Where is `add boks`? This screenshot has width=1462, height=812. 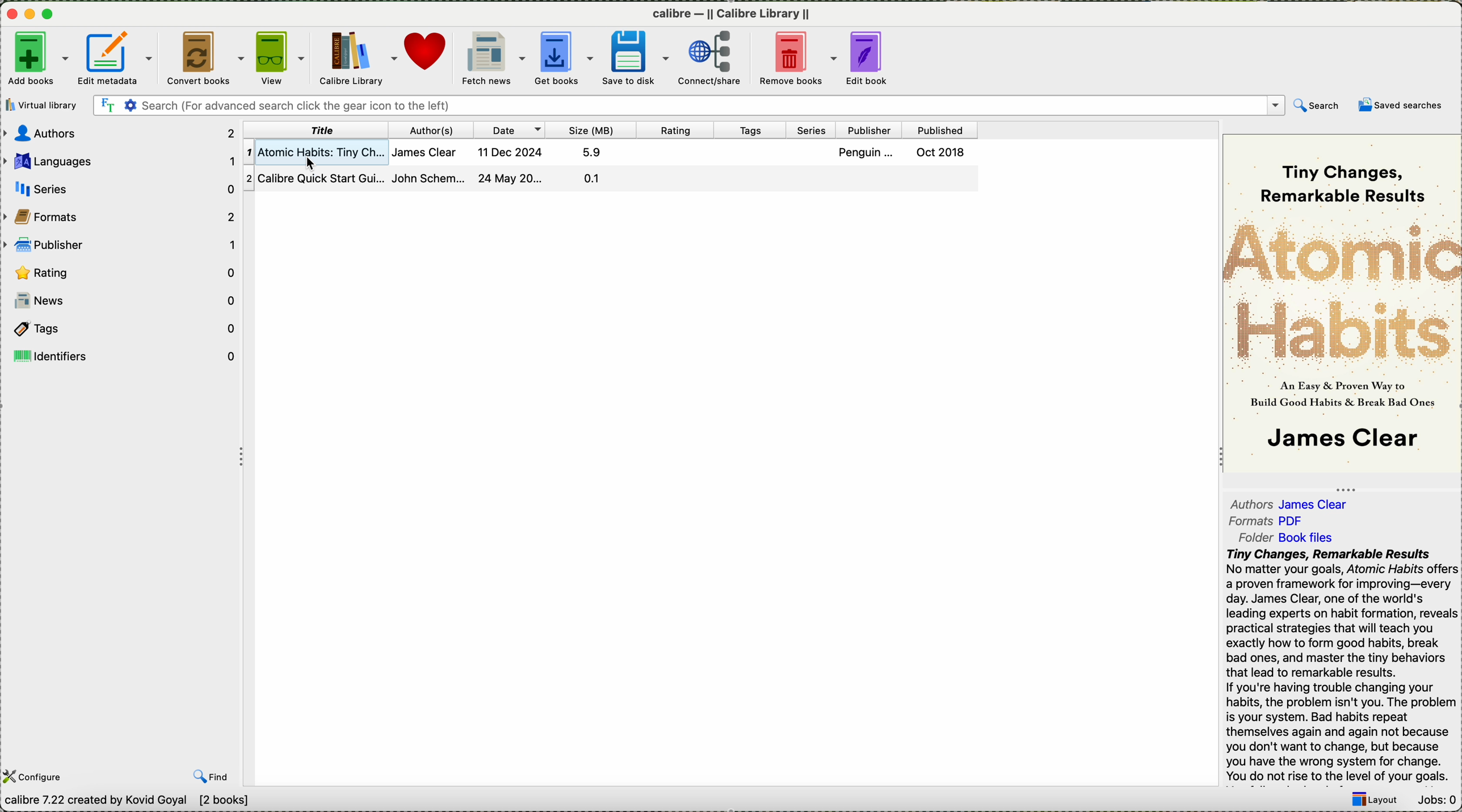 add boks is located at coordinates (39, 59).